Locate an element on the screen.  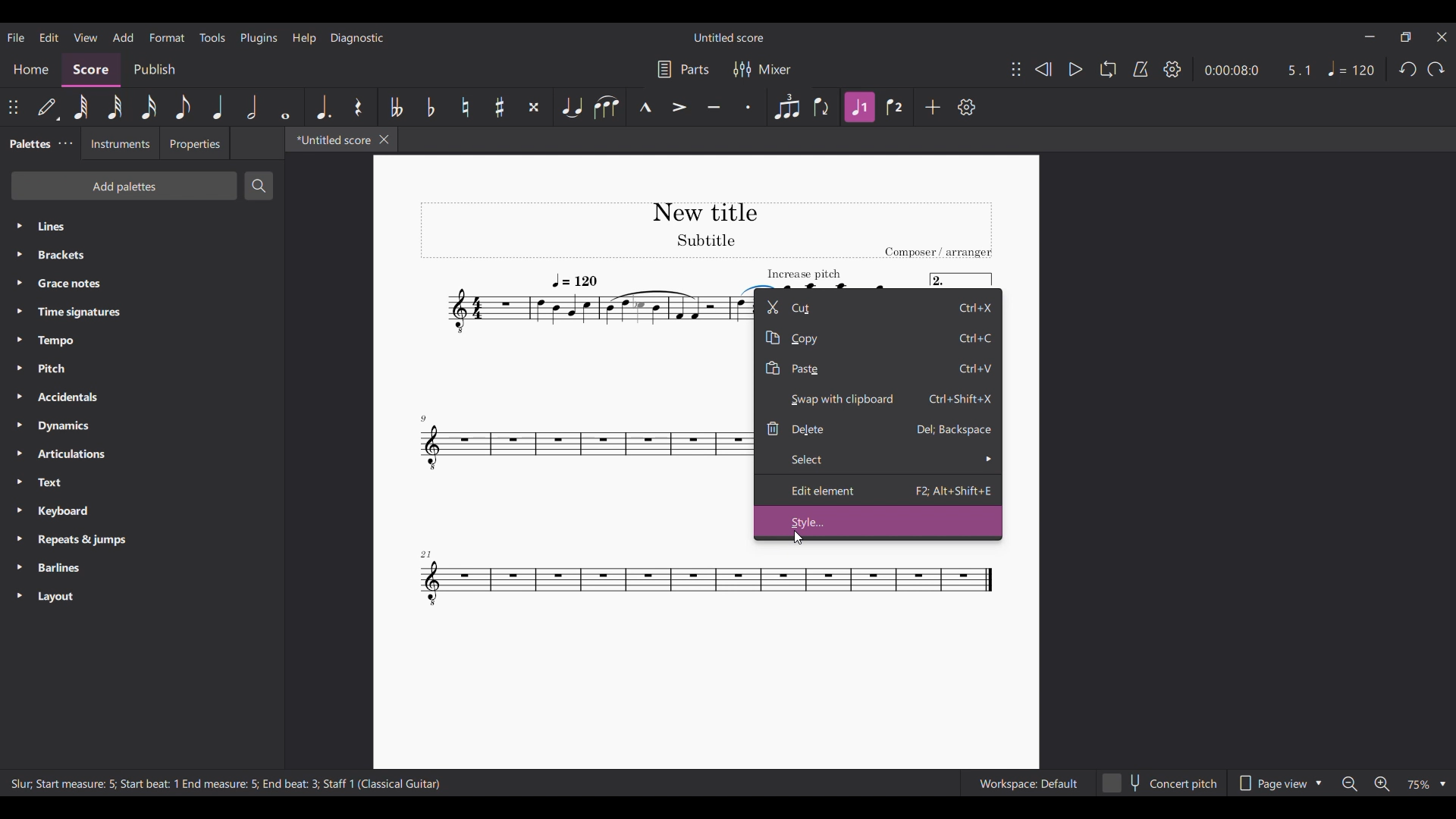
8th note is located at coordinates (183, 107).